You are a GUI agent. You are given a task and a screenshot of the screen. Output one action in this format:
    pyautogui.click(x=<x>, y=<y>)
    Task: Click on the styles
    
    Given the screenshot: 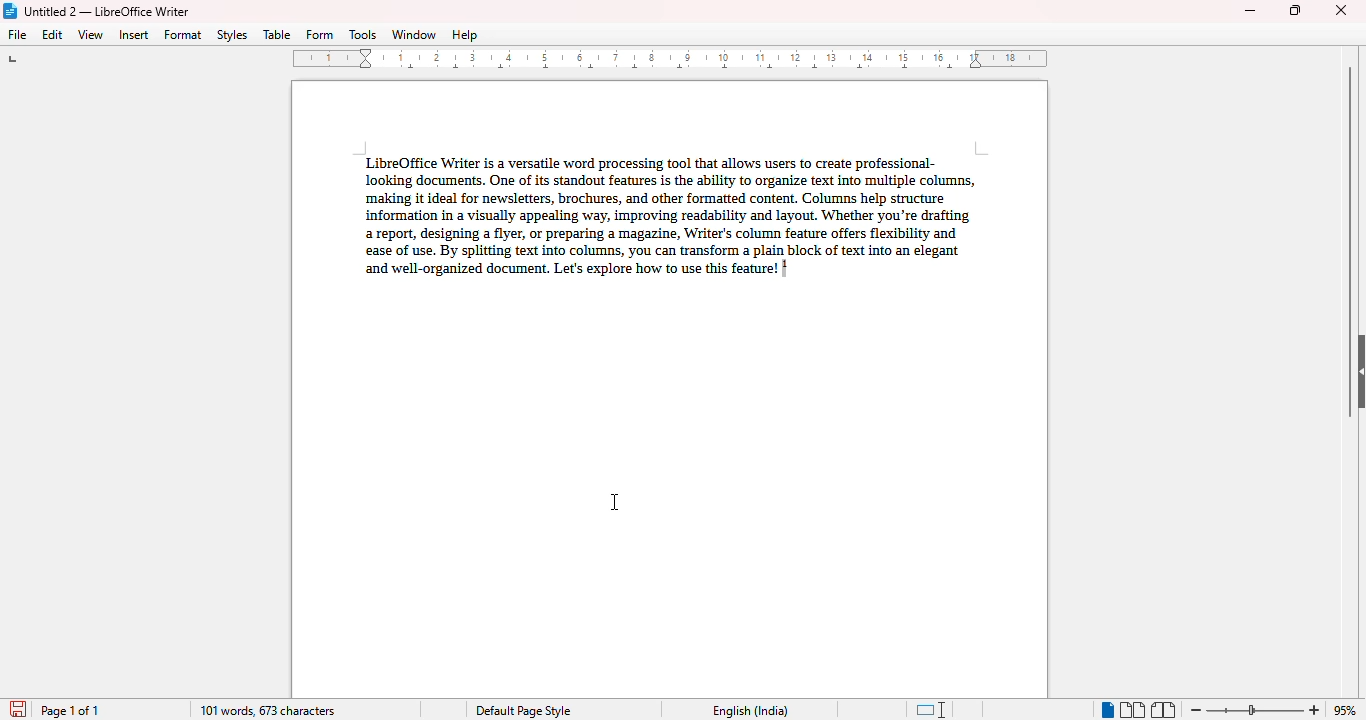 What is the action you would take?
    pyautogui.click(x=233, y=35)
    